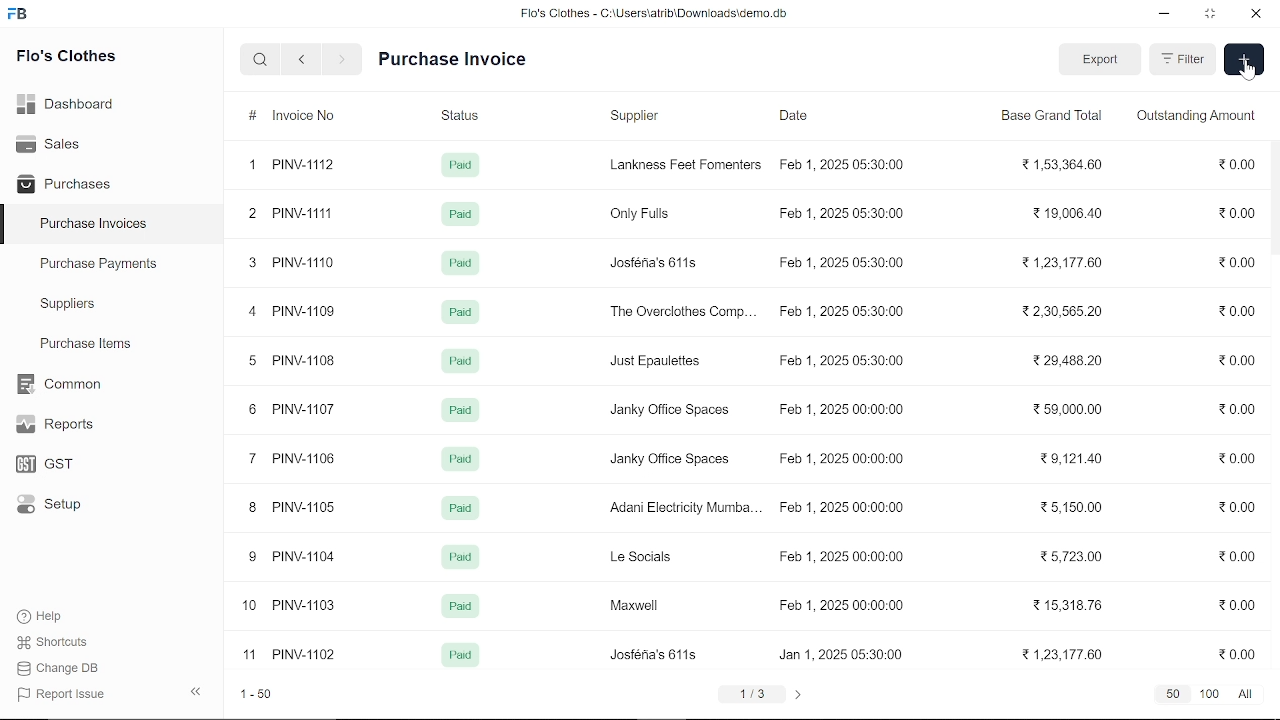 Image resolution: width=1280 pixels, height=720 pixels. I want to click on 6 PINV-1107 Paid Janky Office Spaces Feb 1. 2025 00:00:00 2 59.000.00 0.00, so click(759, 409).